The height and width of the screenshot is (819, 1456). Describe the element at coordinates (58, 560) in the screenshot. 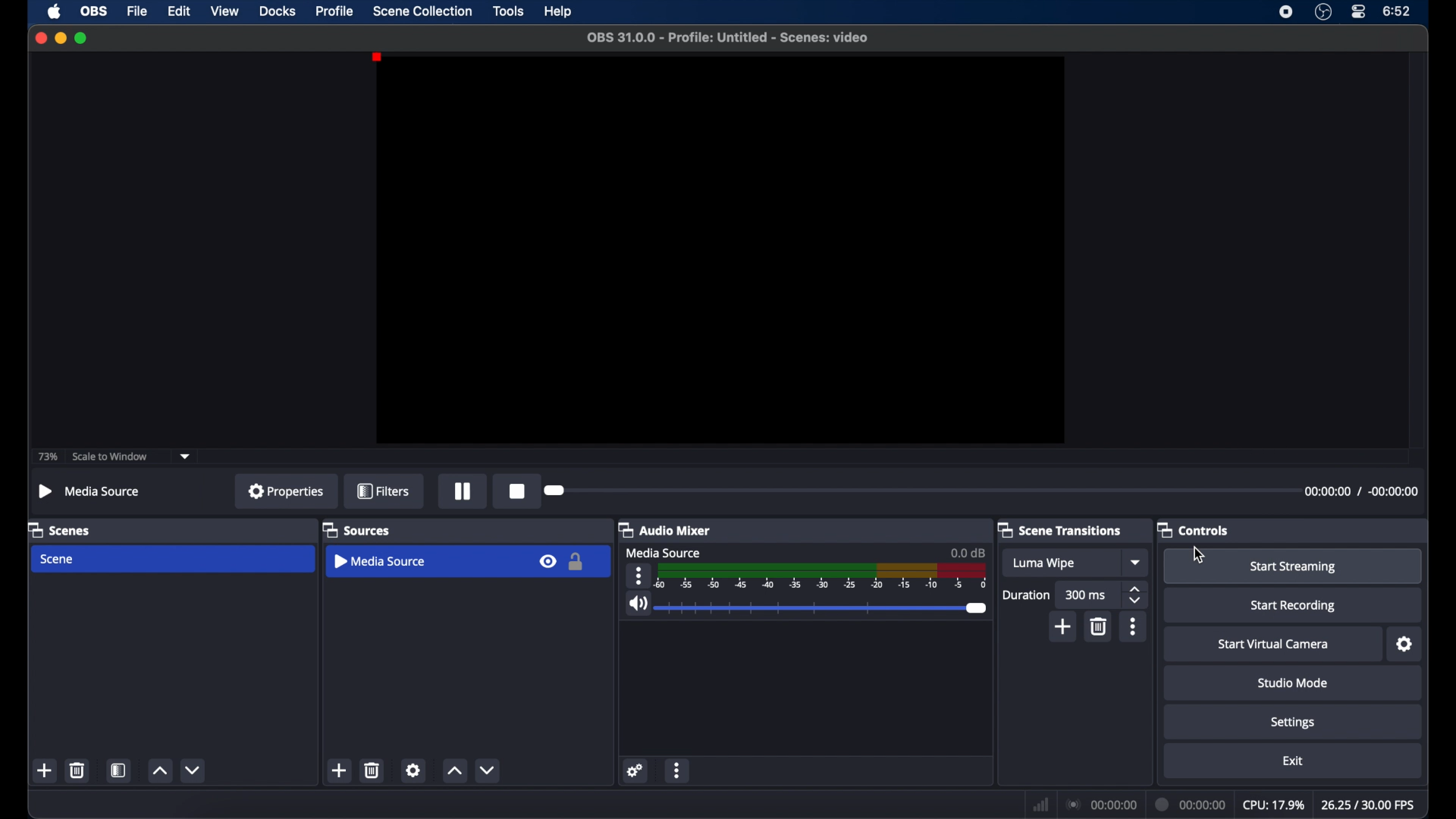

I see `scene` at that location.